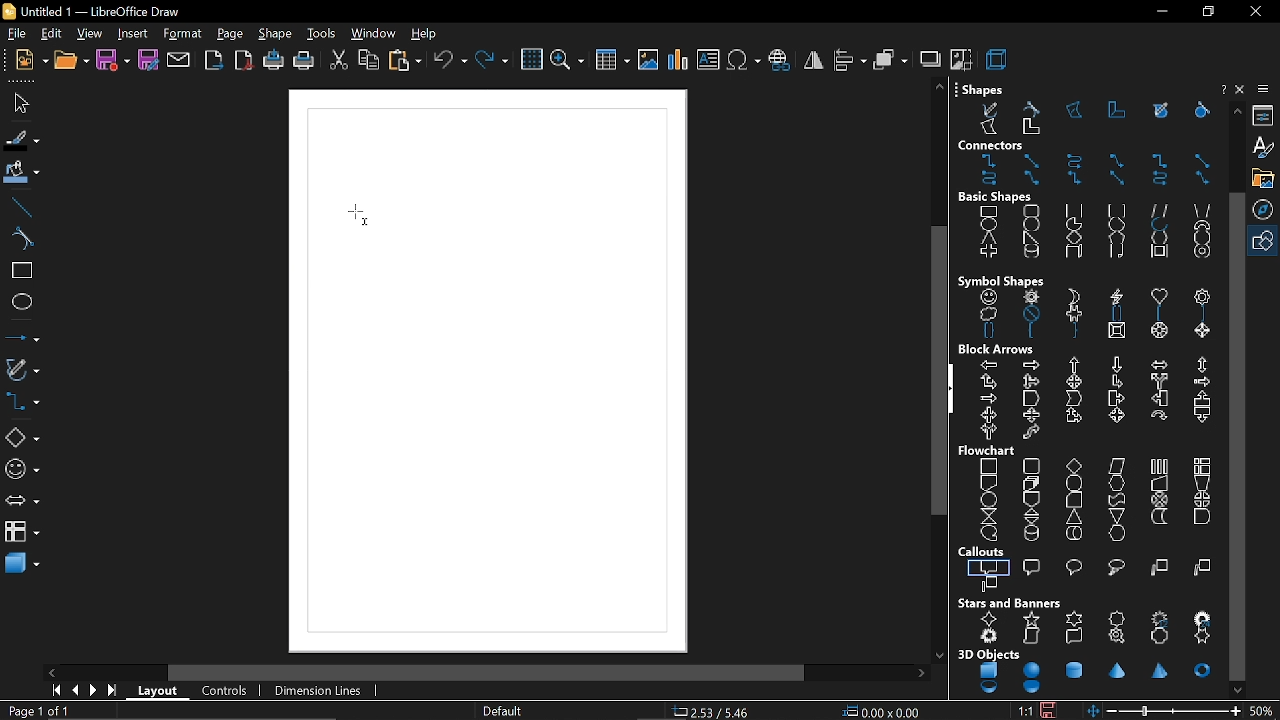 This screenshot has height=720, width=1280. Describe the element at coordinates (1030, 211) in the screenshot. I see `rounded rectangle` at that location.